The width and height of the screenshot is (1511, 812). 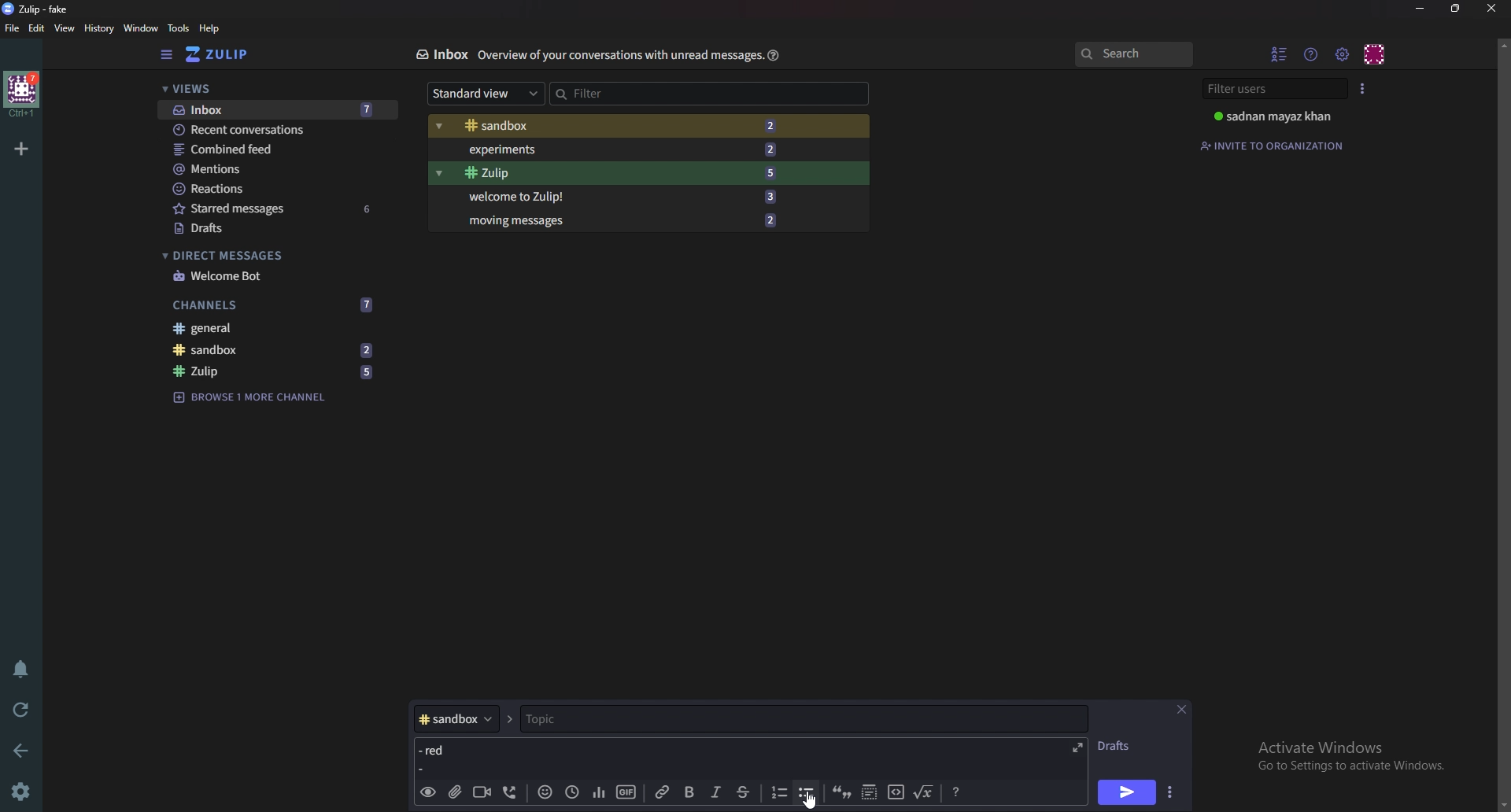 What do you see at coordinates (1132, 54) in the screenshot?
I see `search` at bounding box center [1132, 54].